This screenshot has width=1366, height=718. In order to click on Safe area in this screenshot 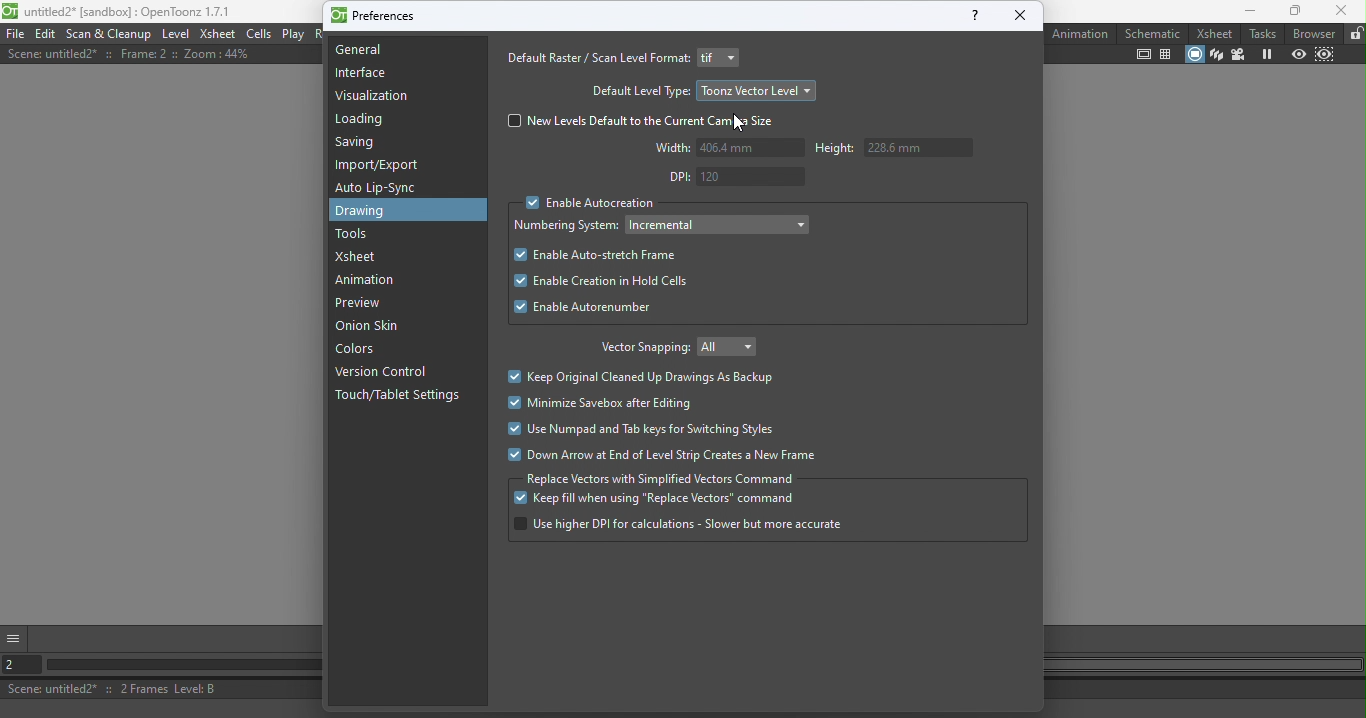, I will do `click(1144, 55)`.